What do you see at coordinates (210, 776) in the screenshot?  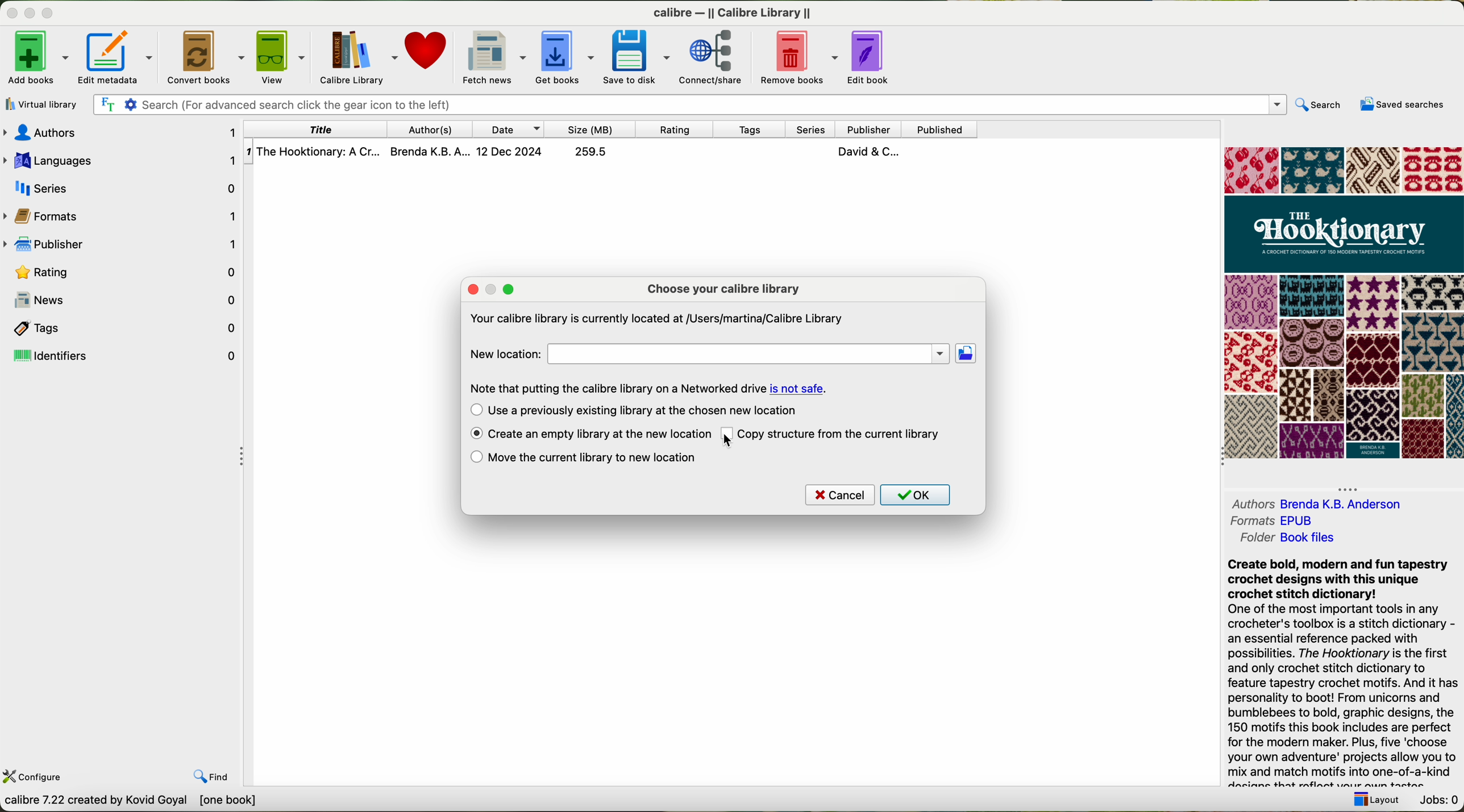 I see `find` at bounding box center [210, 776].